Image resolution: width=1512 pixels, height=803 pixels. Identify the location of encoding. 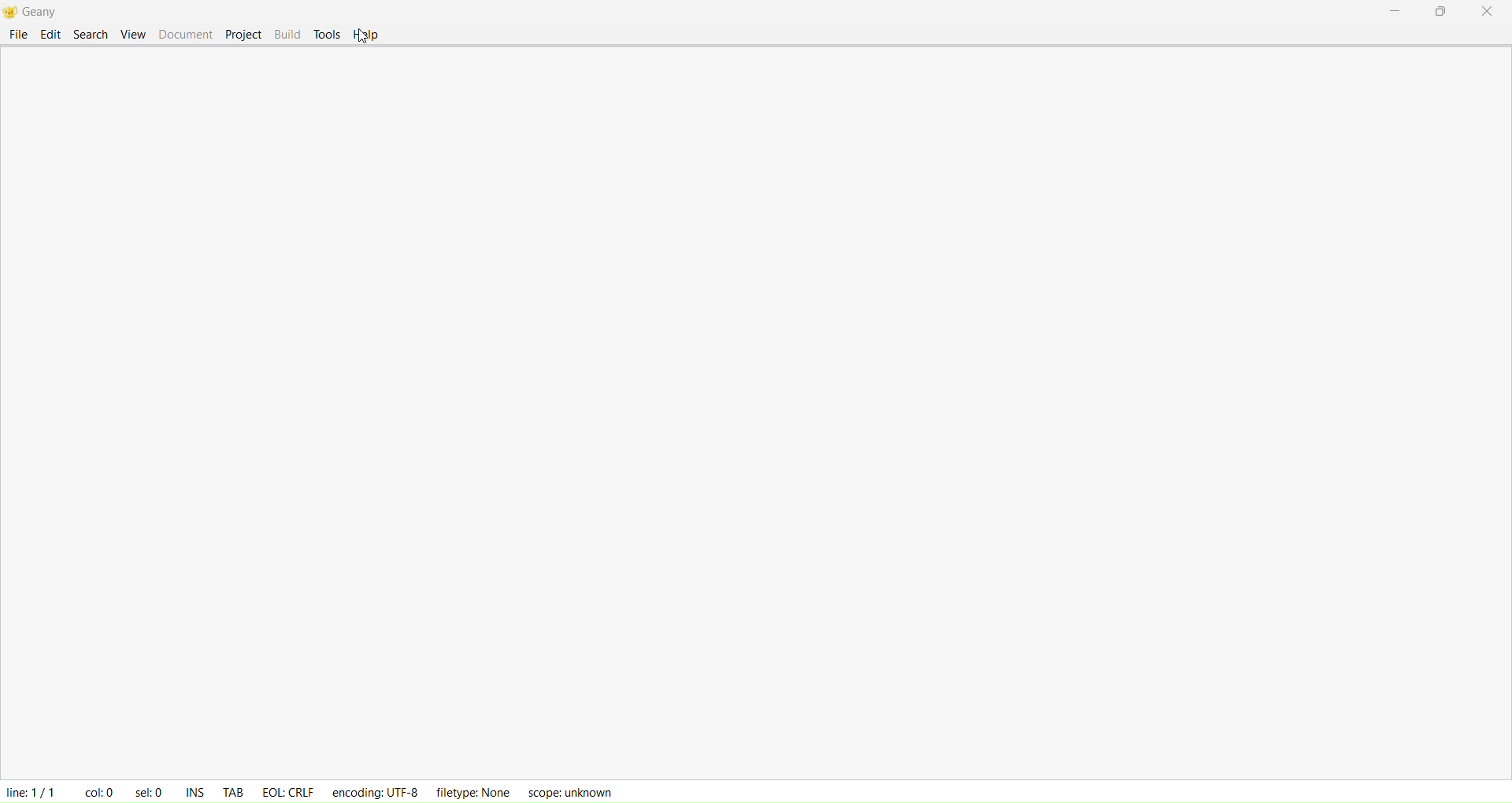
(376, 789).